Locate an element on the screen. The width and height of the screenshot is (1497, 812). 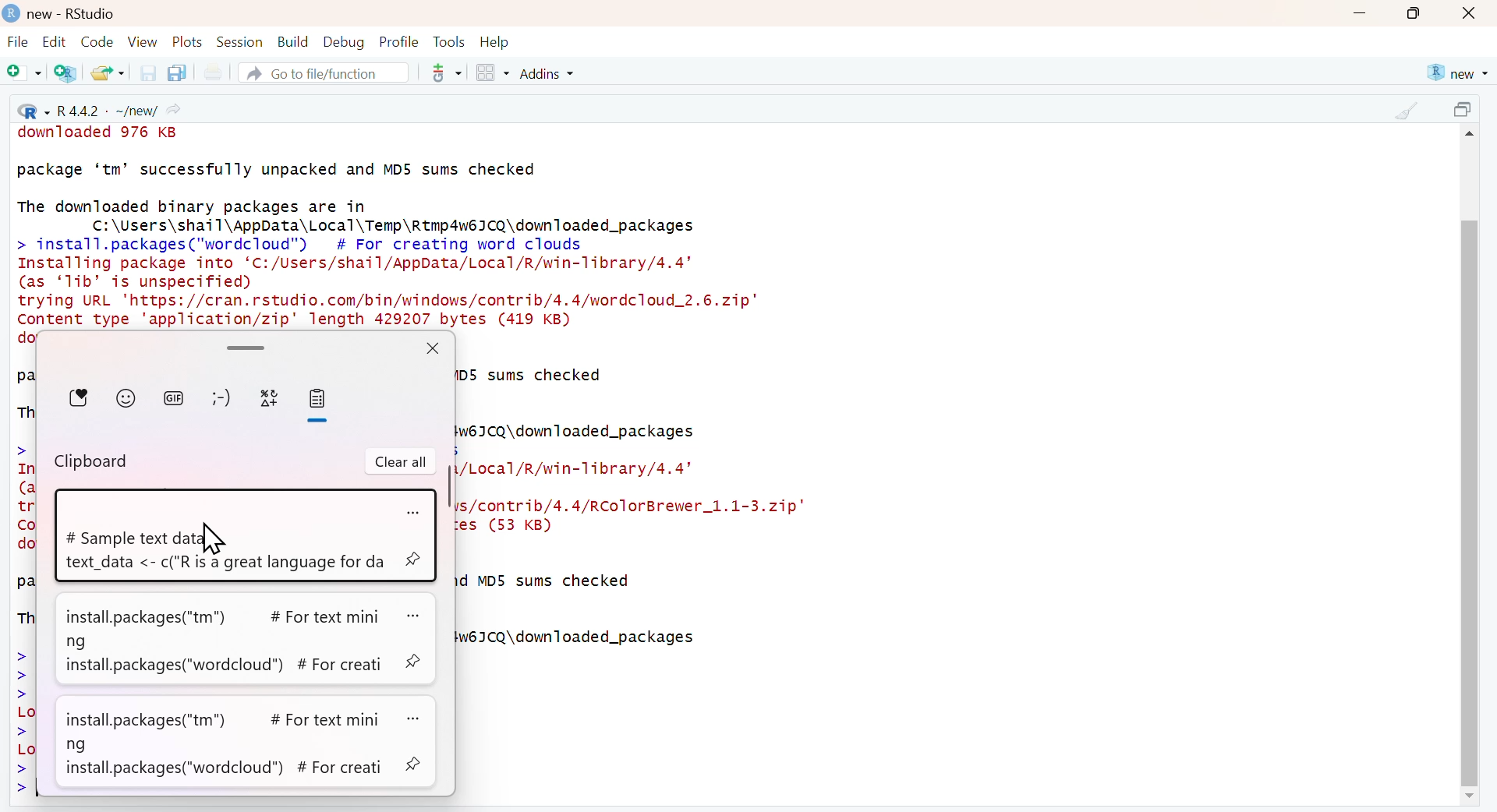
Debug is located at coordinates (345, 44).